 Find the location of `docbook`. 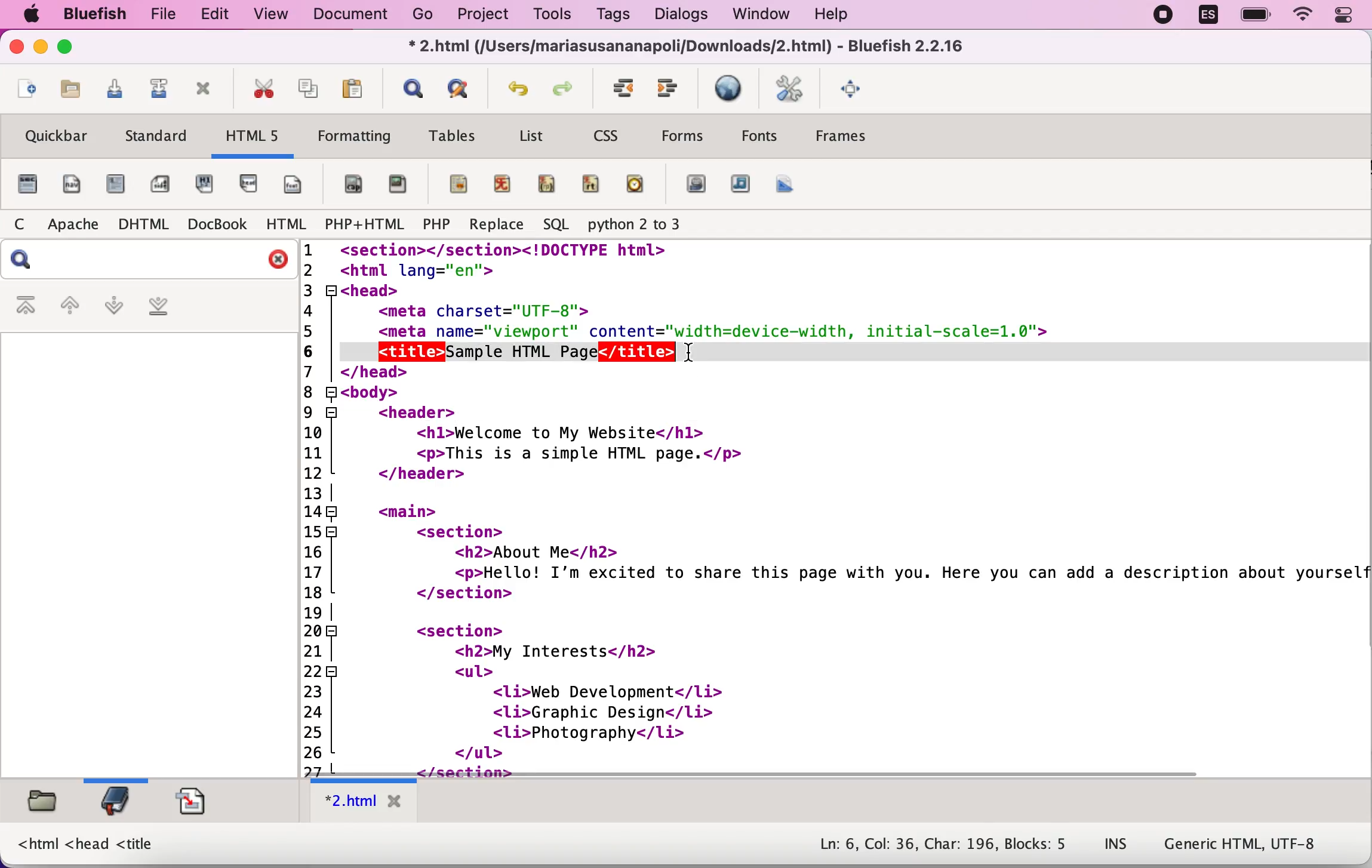

docbook is located at coordinates (216, 226).